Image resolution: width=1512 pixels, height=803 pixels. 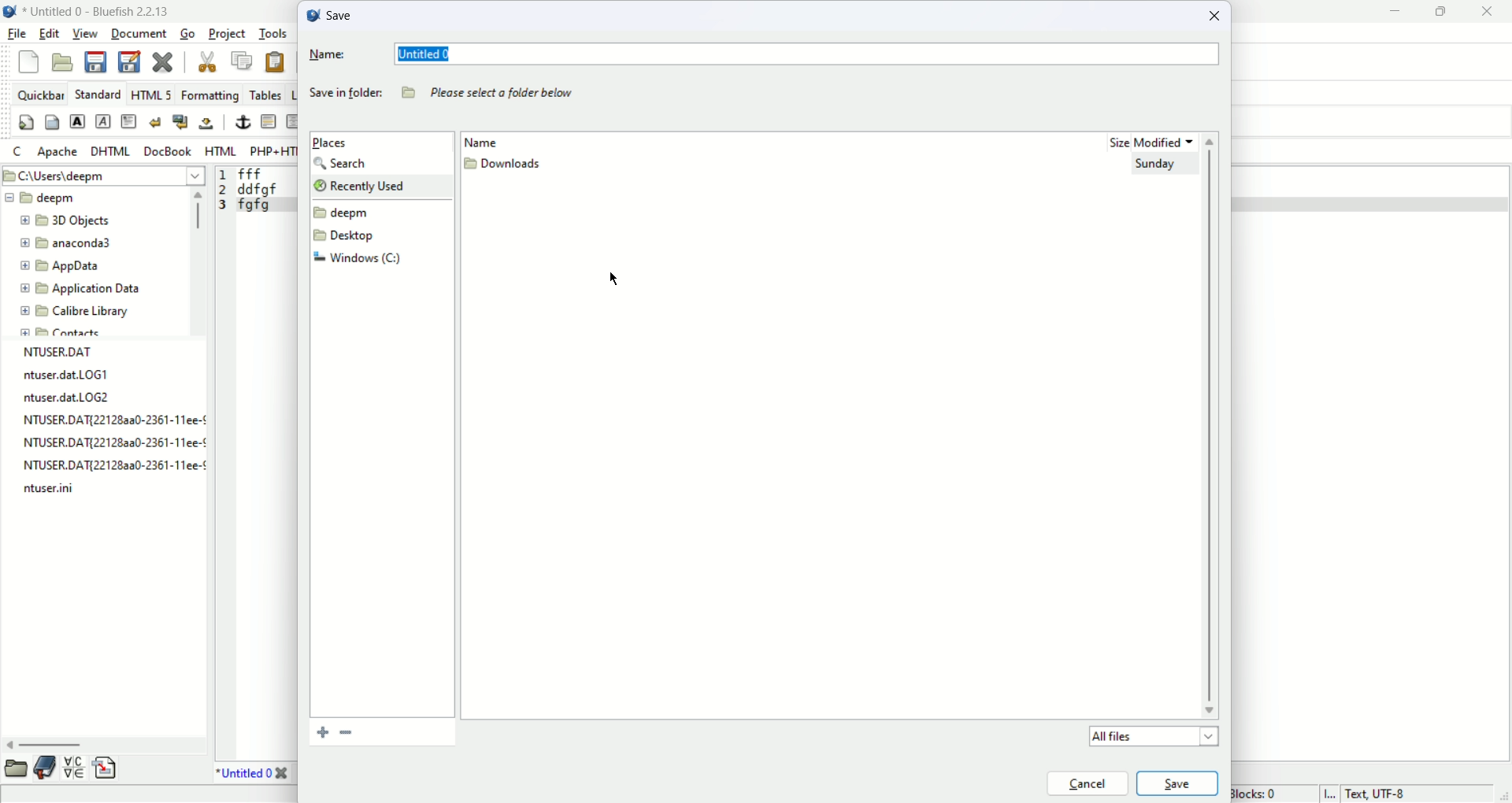 What do you see at coordinates (294, 122) in the screenshot?
I see `center` at bounding box center [294, 122].